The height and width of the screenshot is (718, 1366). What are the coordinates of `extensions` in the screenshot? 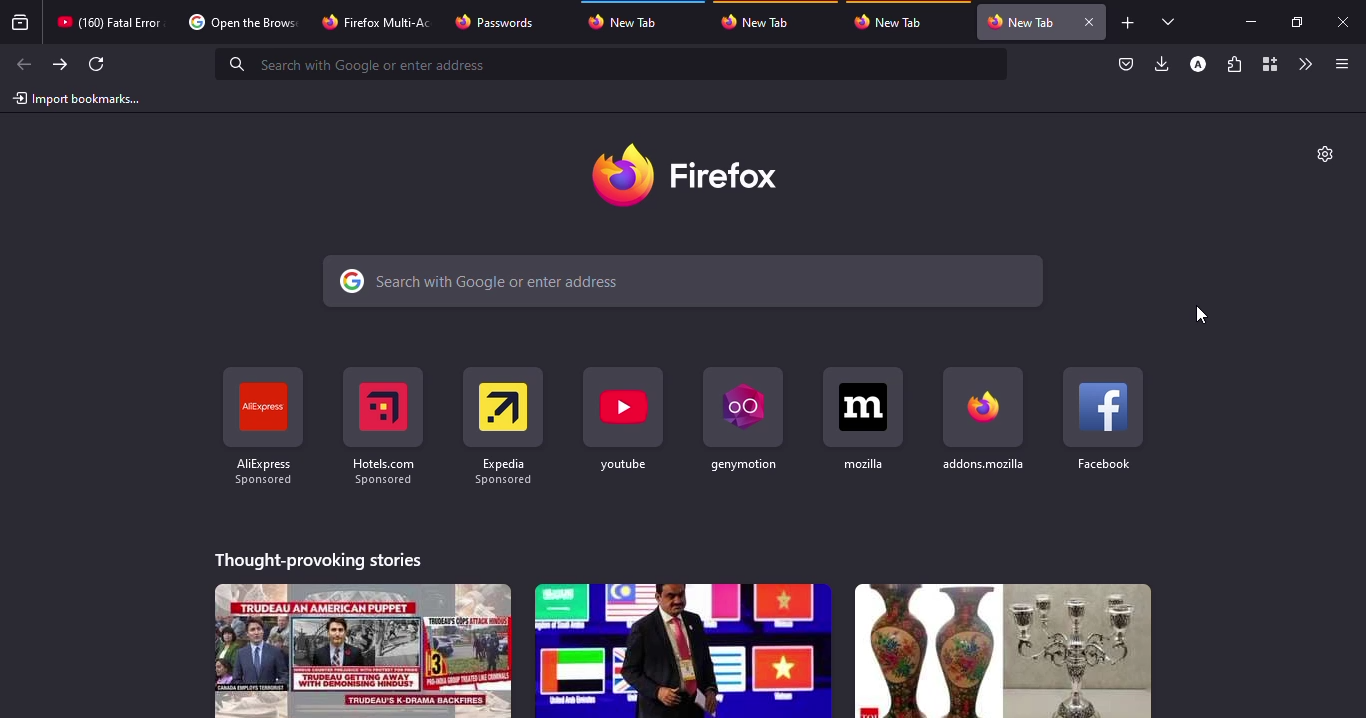 It's located at (1236, 64).